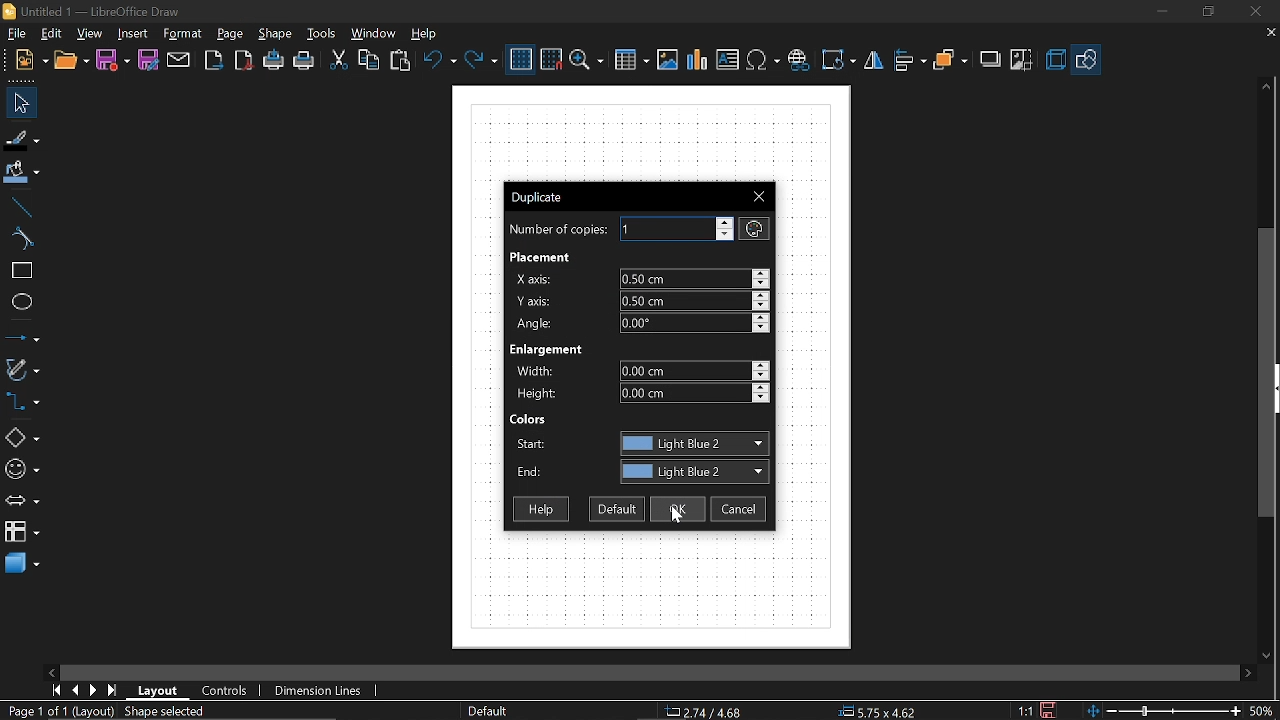 Image resolution: width=1280 pixels, height=720 pixels. I want to click on Copy, so click(370, 60).